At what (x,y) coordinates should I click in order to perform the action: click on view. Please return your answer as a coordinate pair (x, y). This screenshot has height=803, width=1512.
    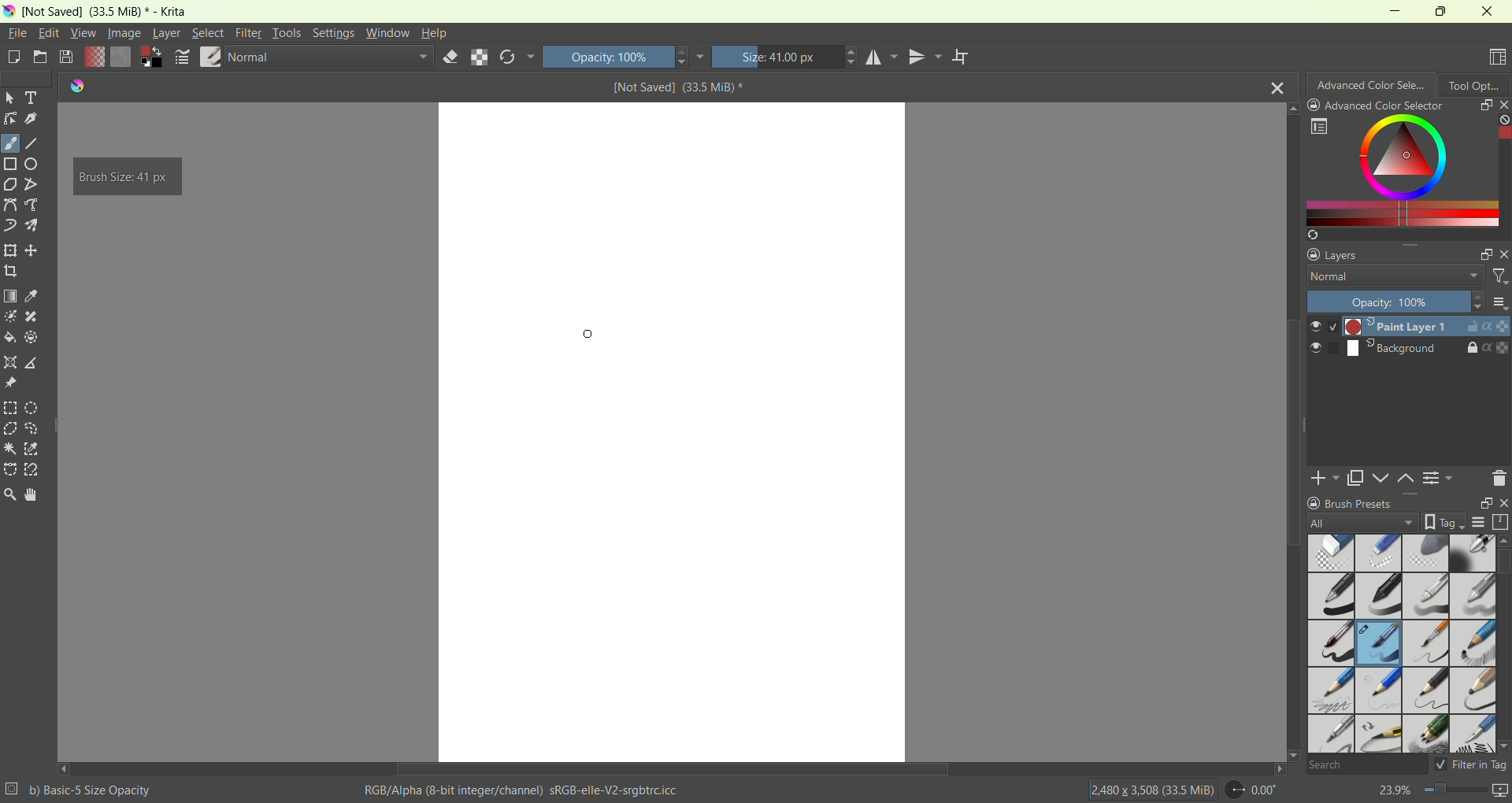
    Looking at the image, I should click on (82, 33).